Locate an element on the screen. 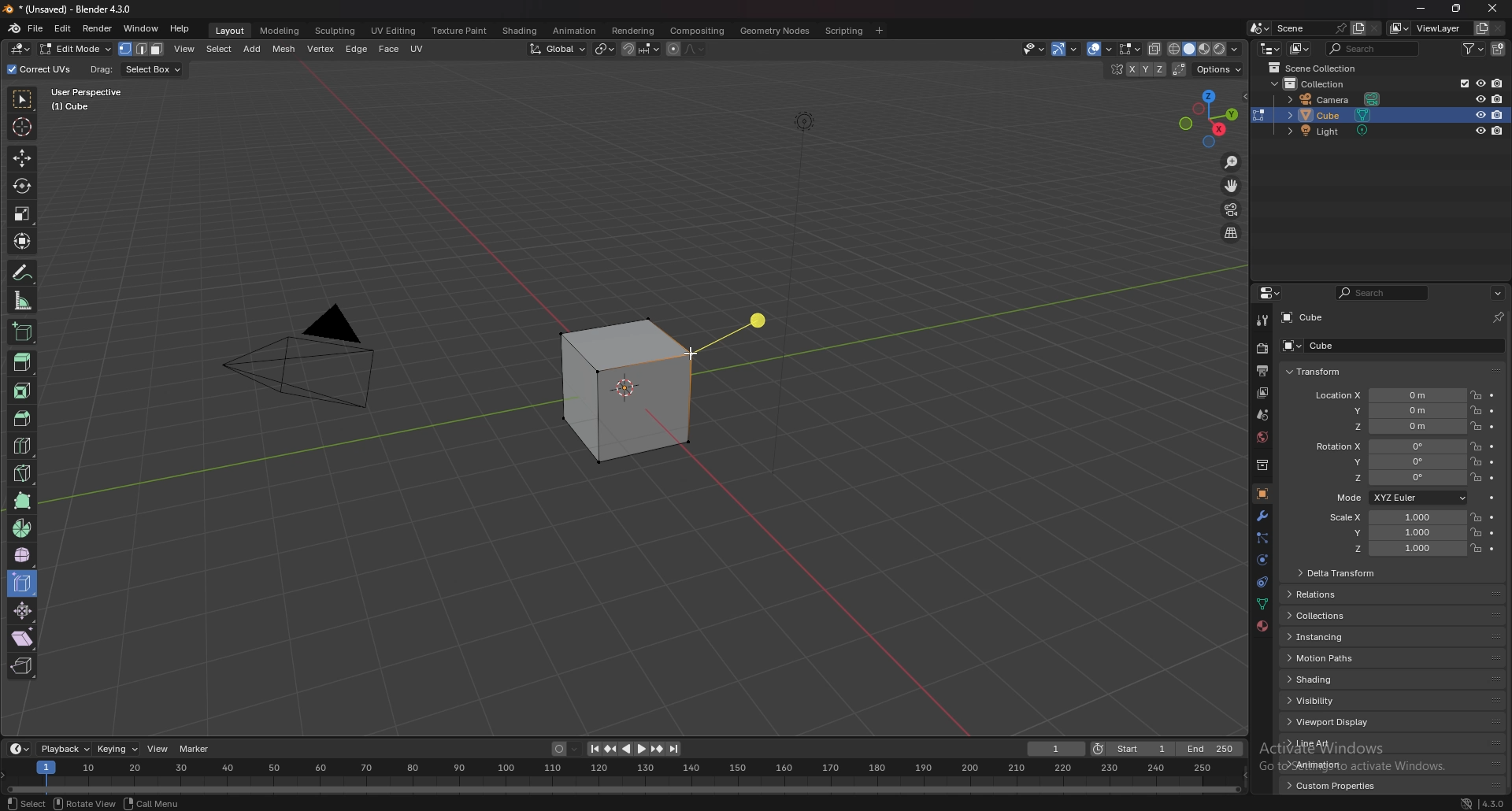 The width and height of the screenshot is (1512, 811). editor type is located at coordinates (19, 749).